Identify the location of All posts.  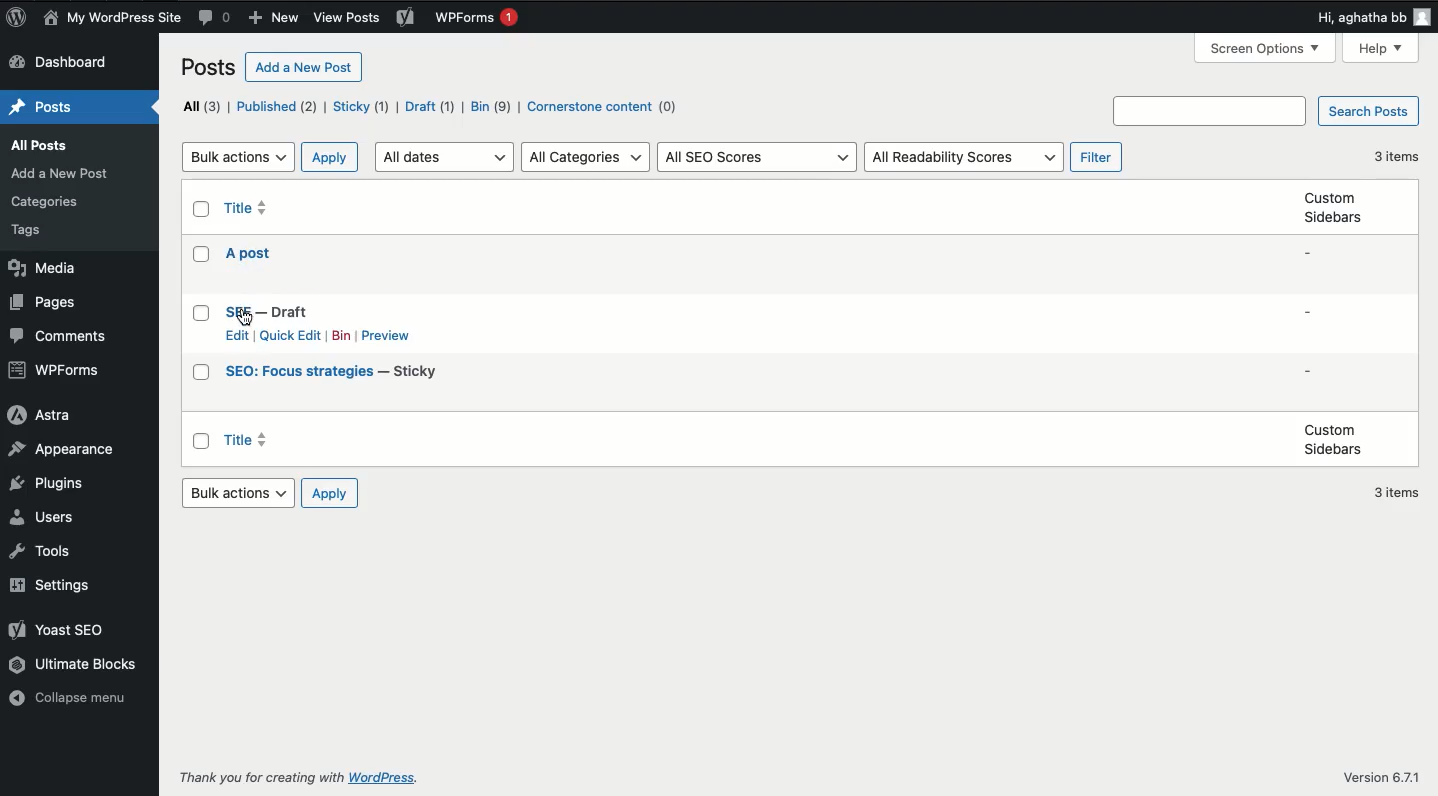
(38, 145).